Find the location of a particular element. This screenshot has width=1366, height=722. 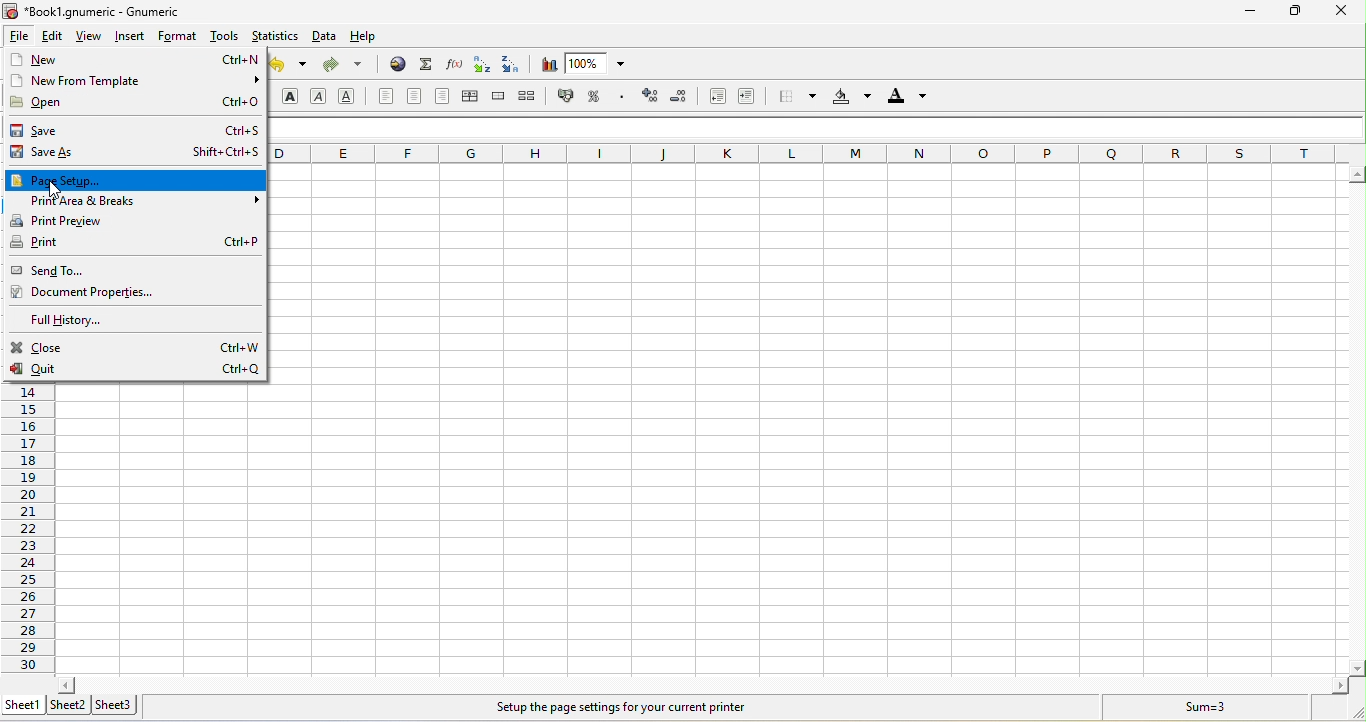

bold is located at coordinates (291, 96).